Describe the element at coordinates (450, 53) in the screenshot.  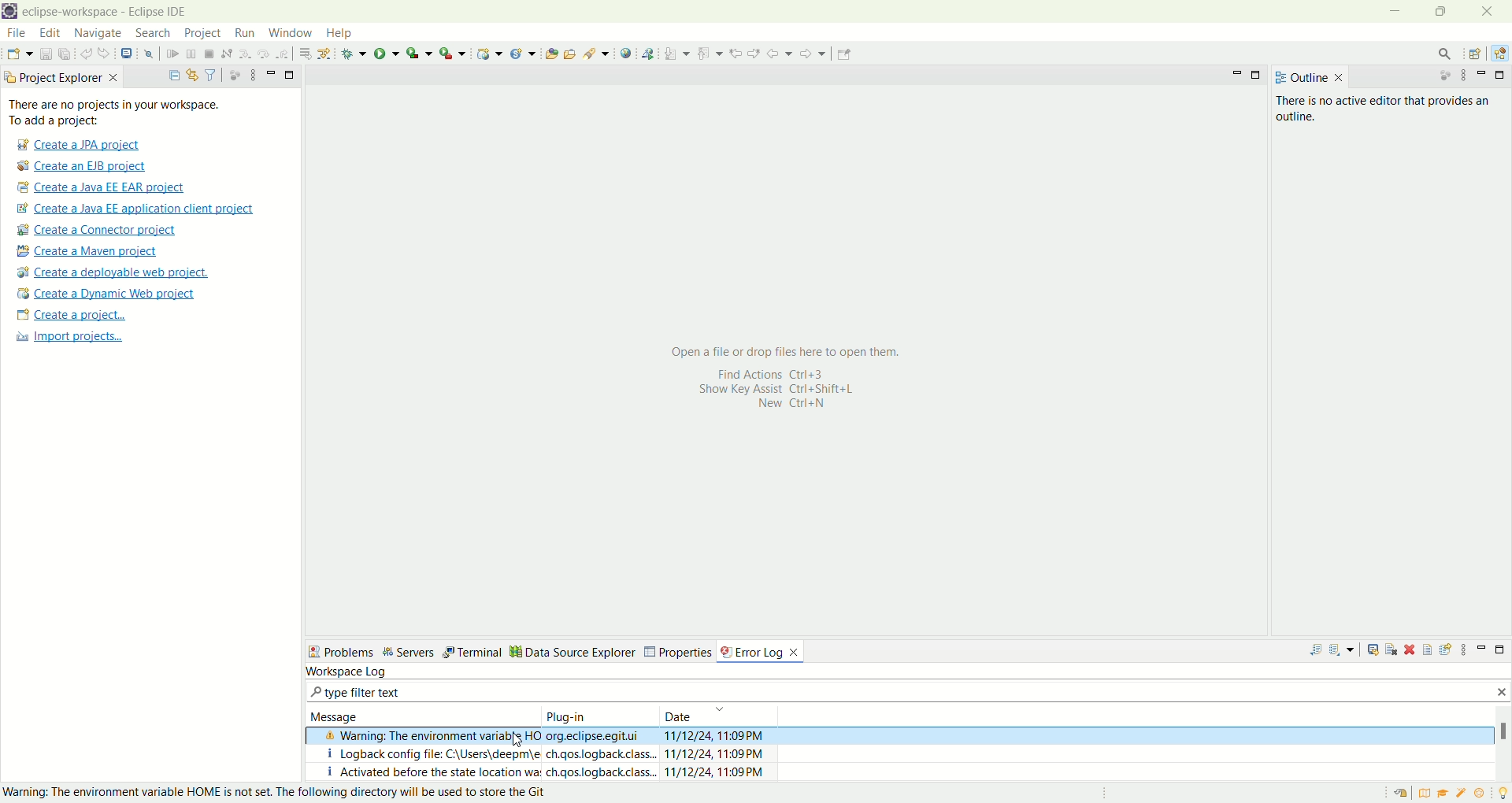
I see `run last tool` at that location.